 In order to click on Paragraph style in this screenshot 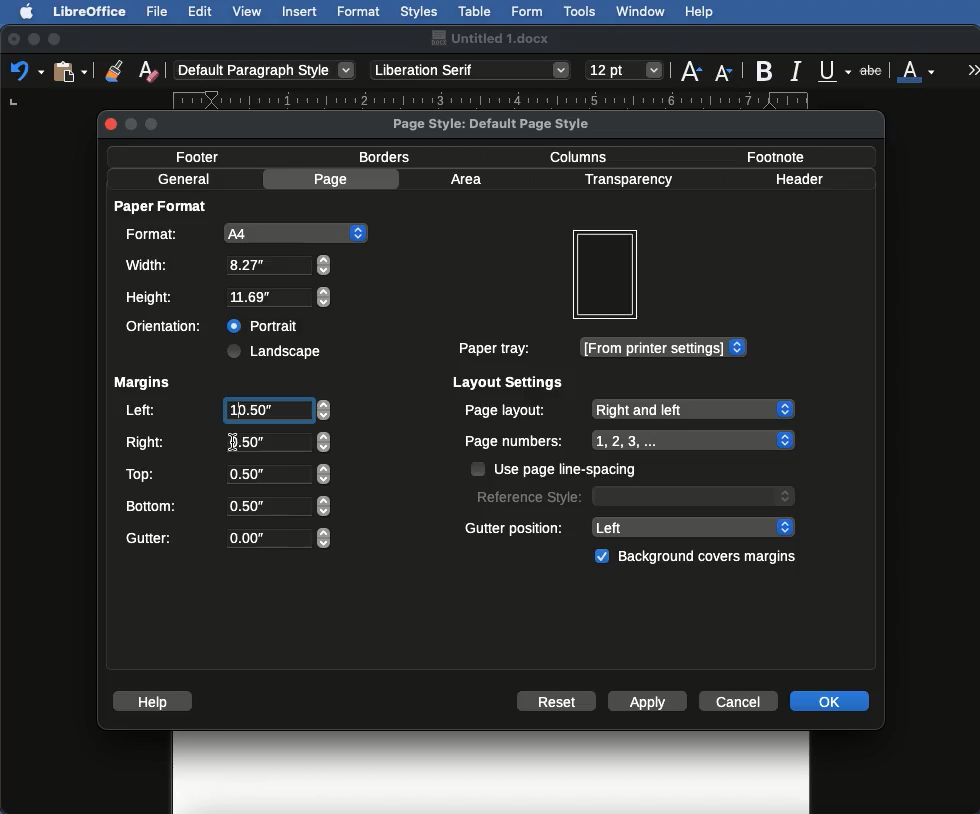, I will do `click(266, 70)`.